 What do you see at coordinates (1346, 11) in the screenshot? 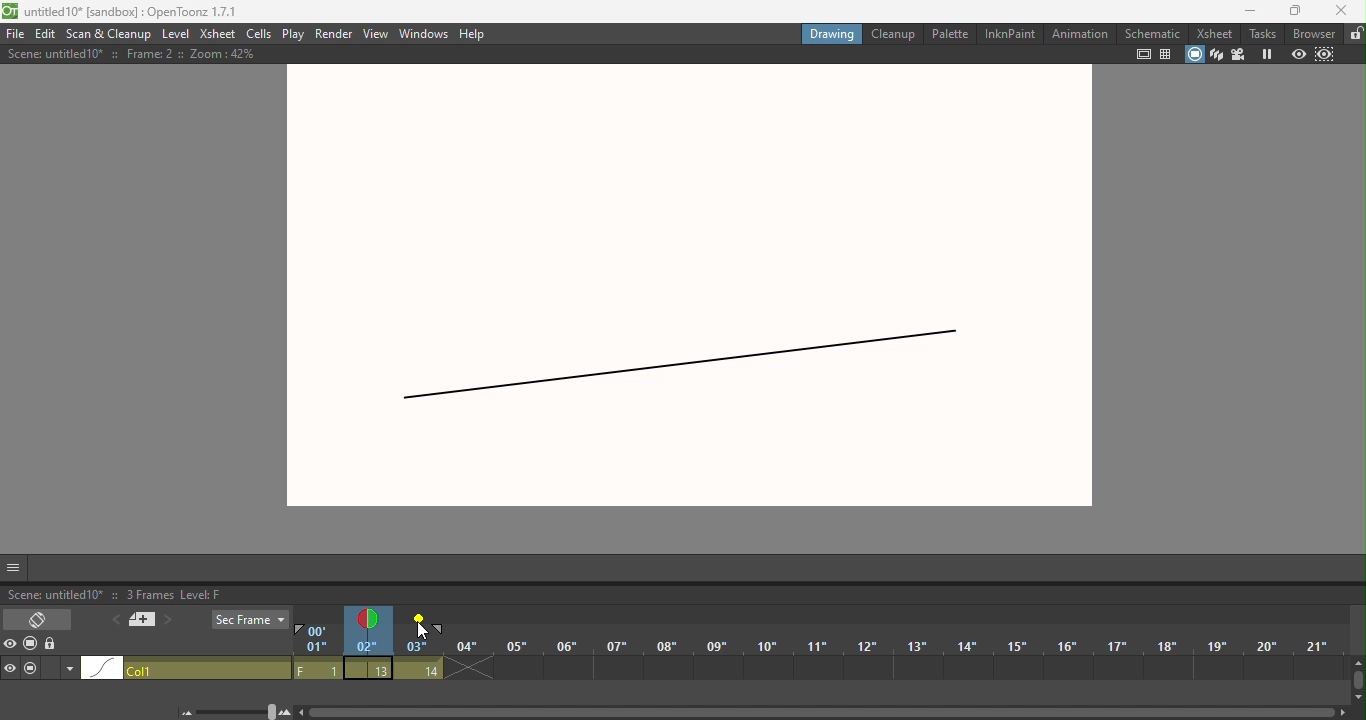
I see `close` at bounding box center [1346, 11].